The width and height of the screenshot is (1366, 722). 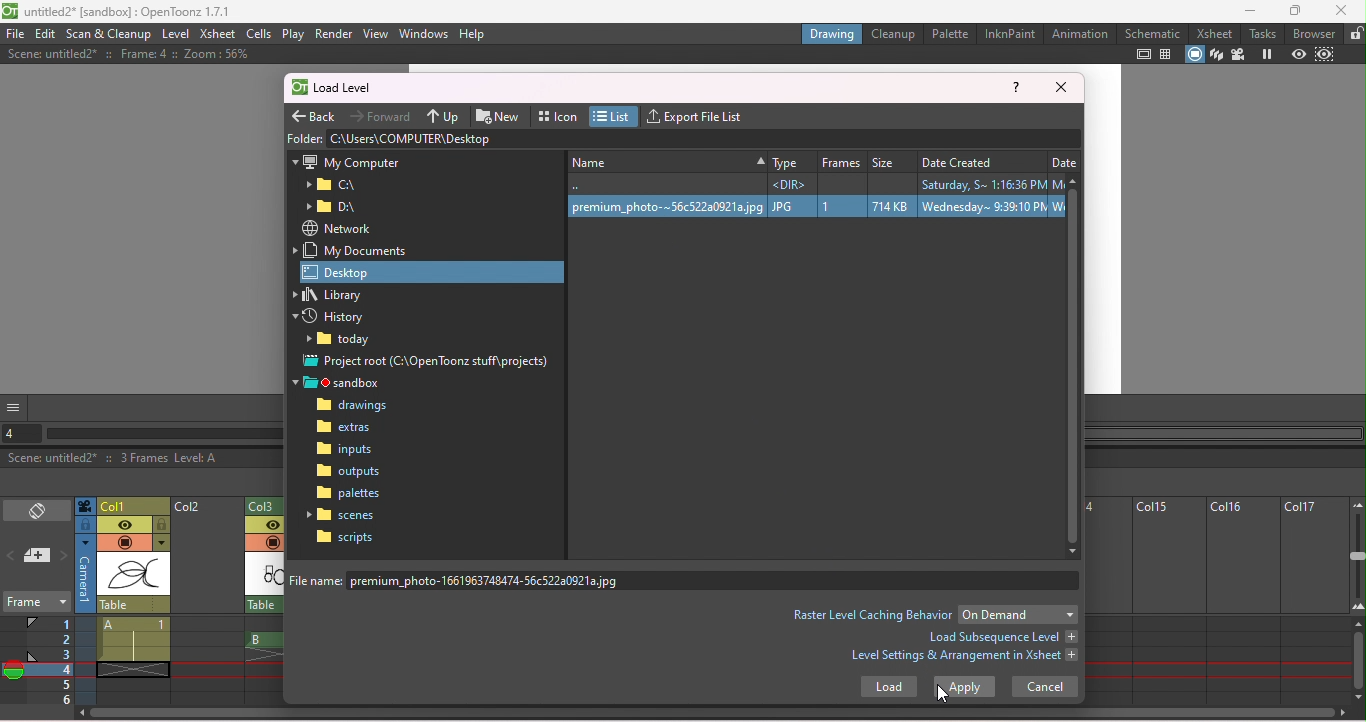 I want to click on <DIR> Saturday, S~ 1:16:36 PM, so click(x=811, y=184).